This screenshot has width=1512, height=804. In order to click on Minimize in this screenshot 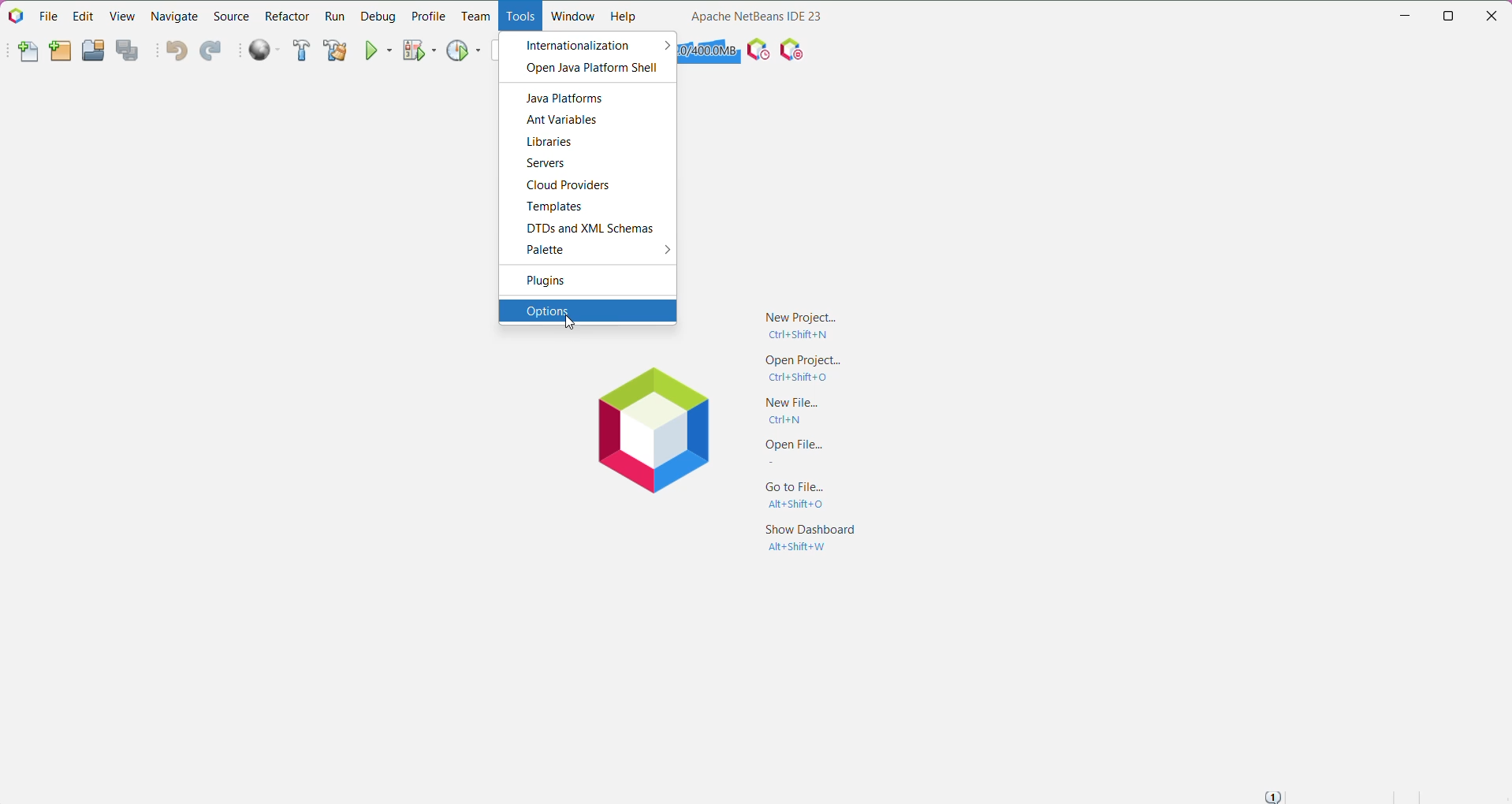, I will do `click(1405, 16)`.